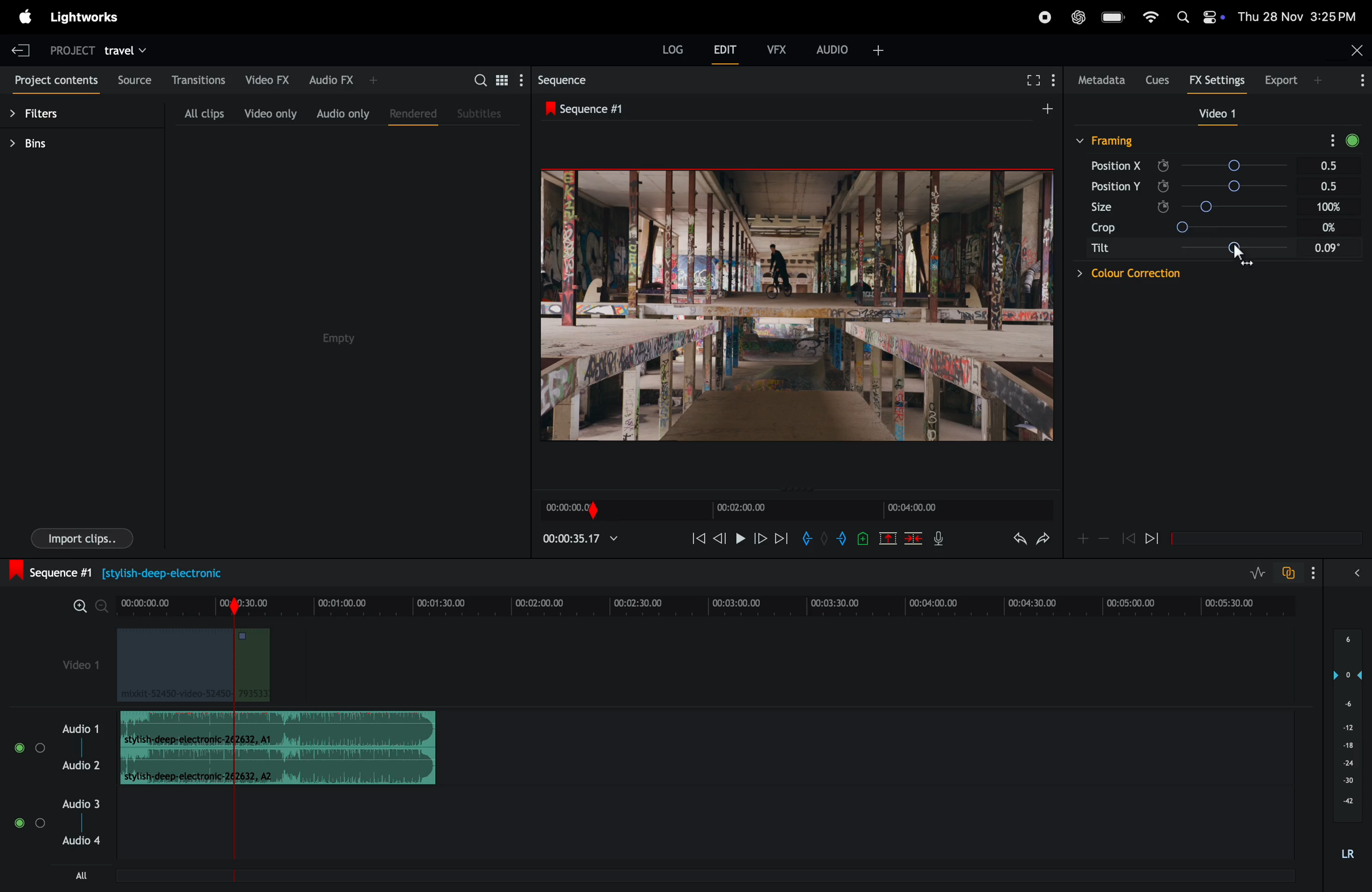 The height and width of the screenshot is (892, 1372). Describe the element at coordinates (1320, 81) in the screenshot. I see `Add panel` at that location.